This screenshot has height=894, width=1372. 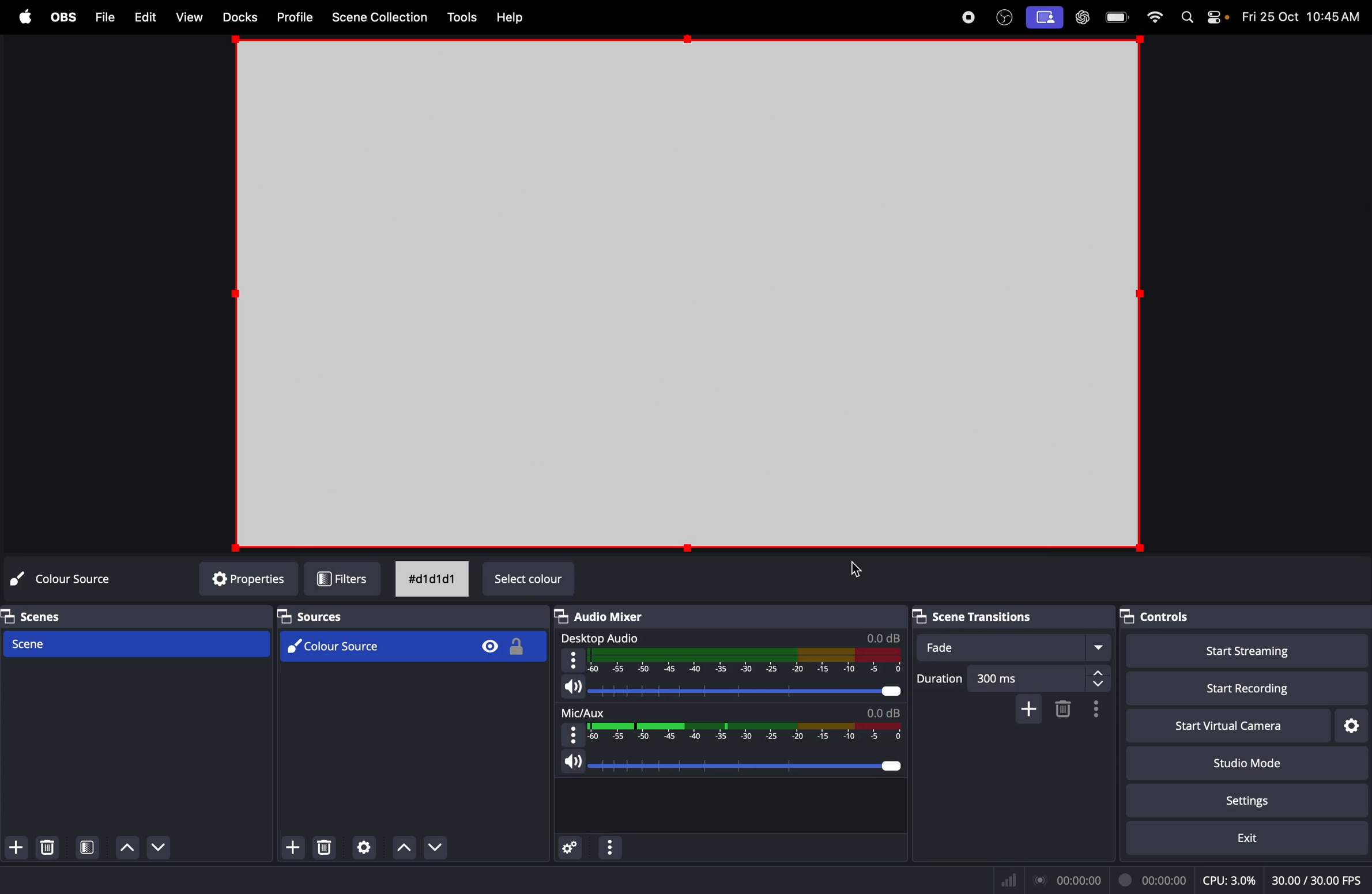 I want to click on audio level, so click(x=730, y=686).